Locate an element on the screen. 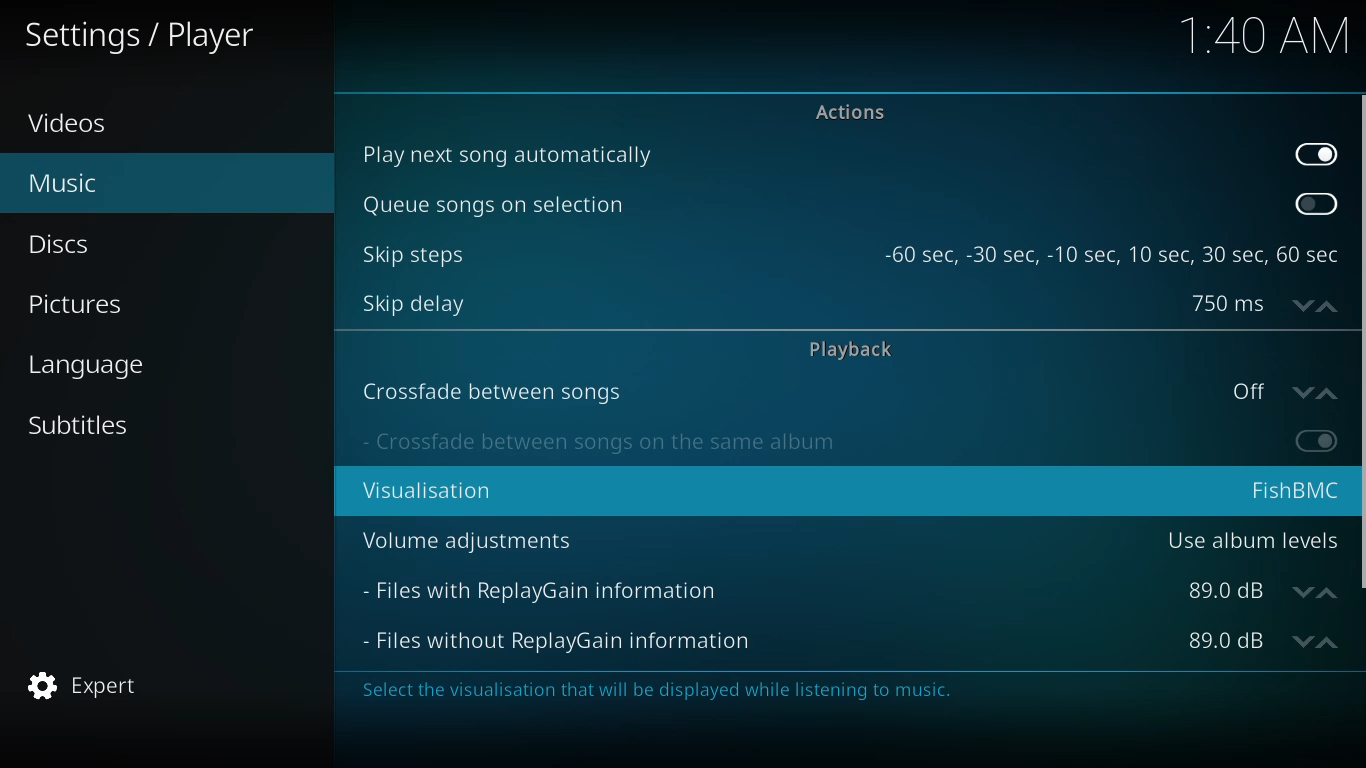  info is located at coordinates (643, 691).